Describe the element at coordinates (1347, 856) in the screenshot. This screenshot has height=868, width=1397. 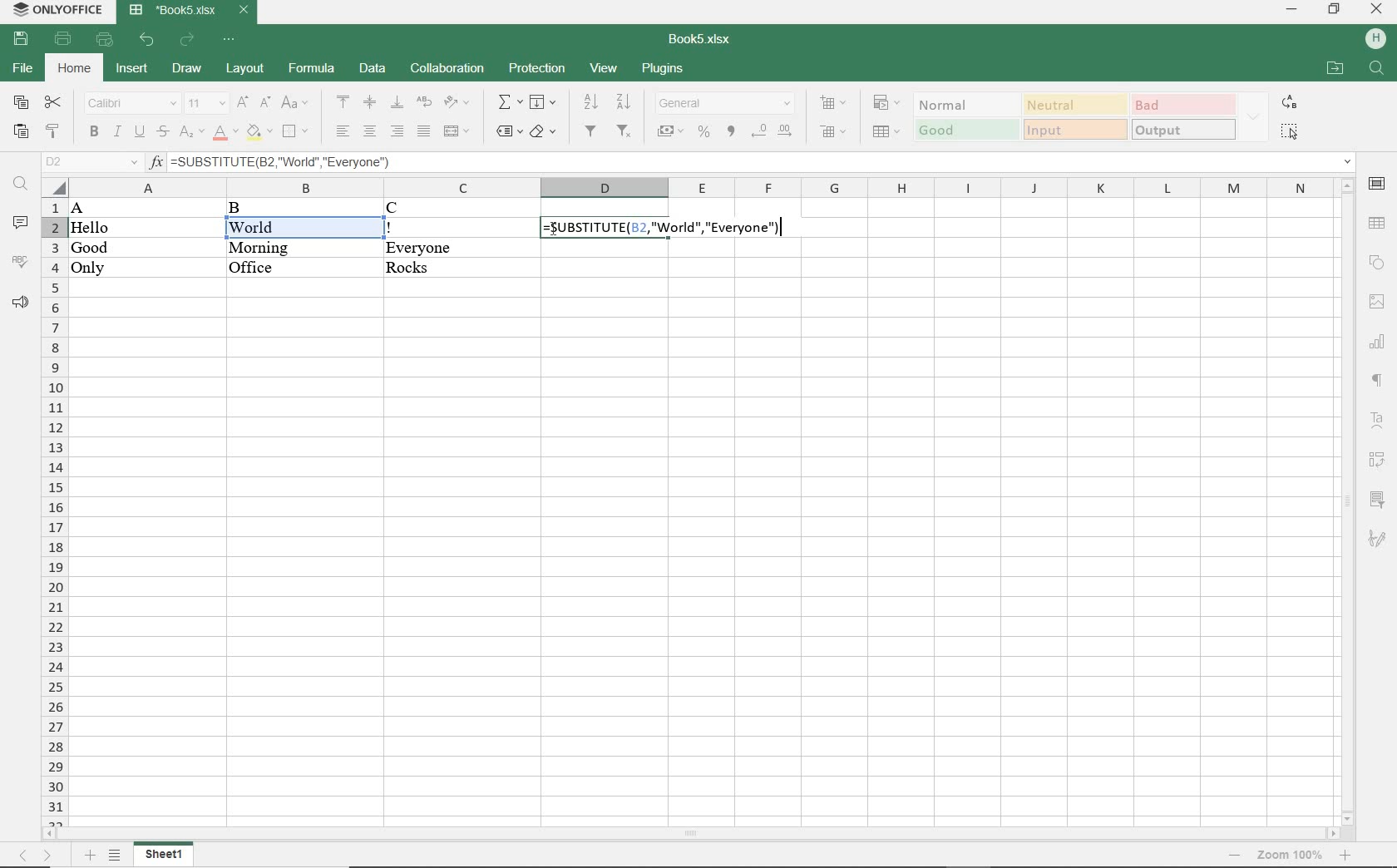
I see `zoom in` at that location.